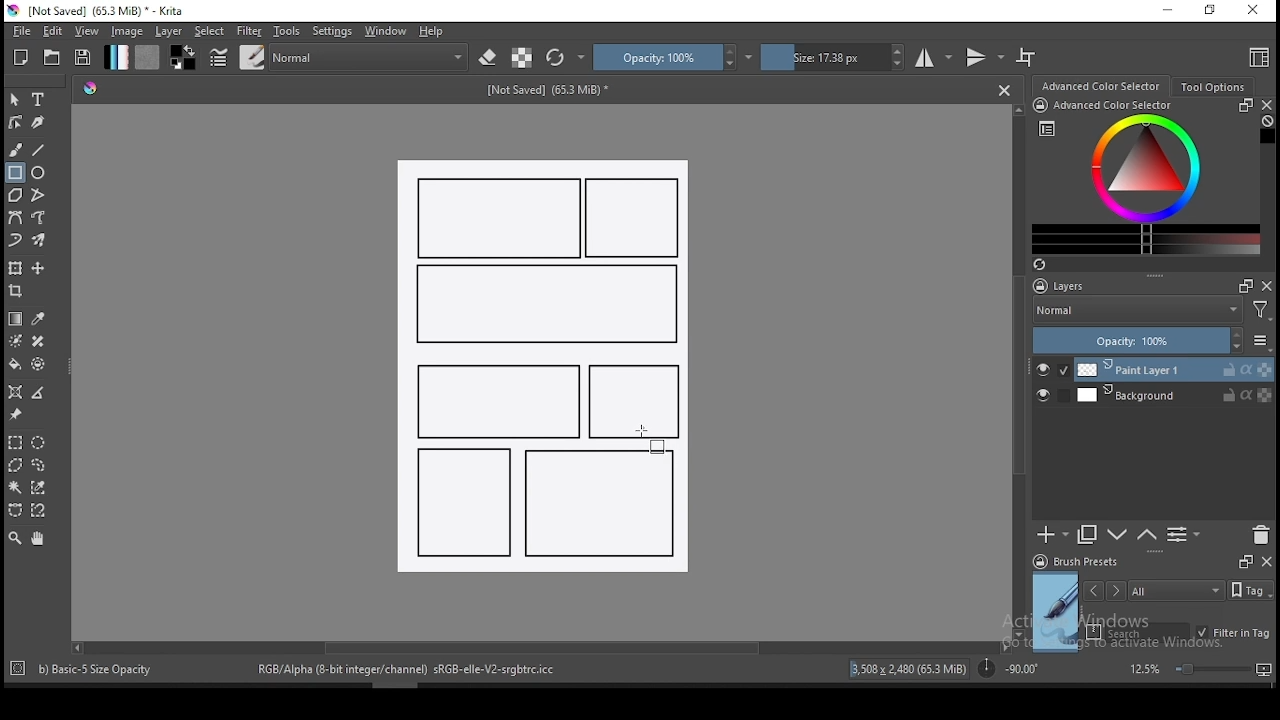 This screenshot has width=1280, height=720. I want to click on enclose and fill tool, so click(38, 364).